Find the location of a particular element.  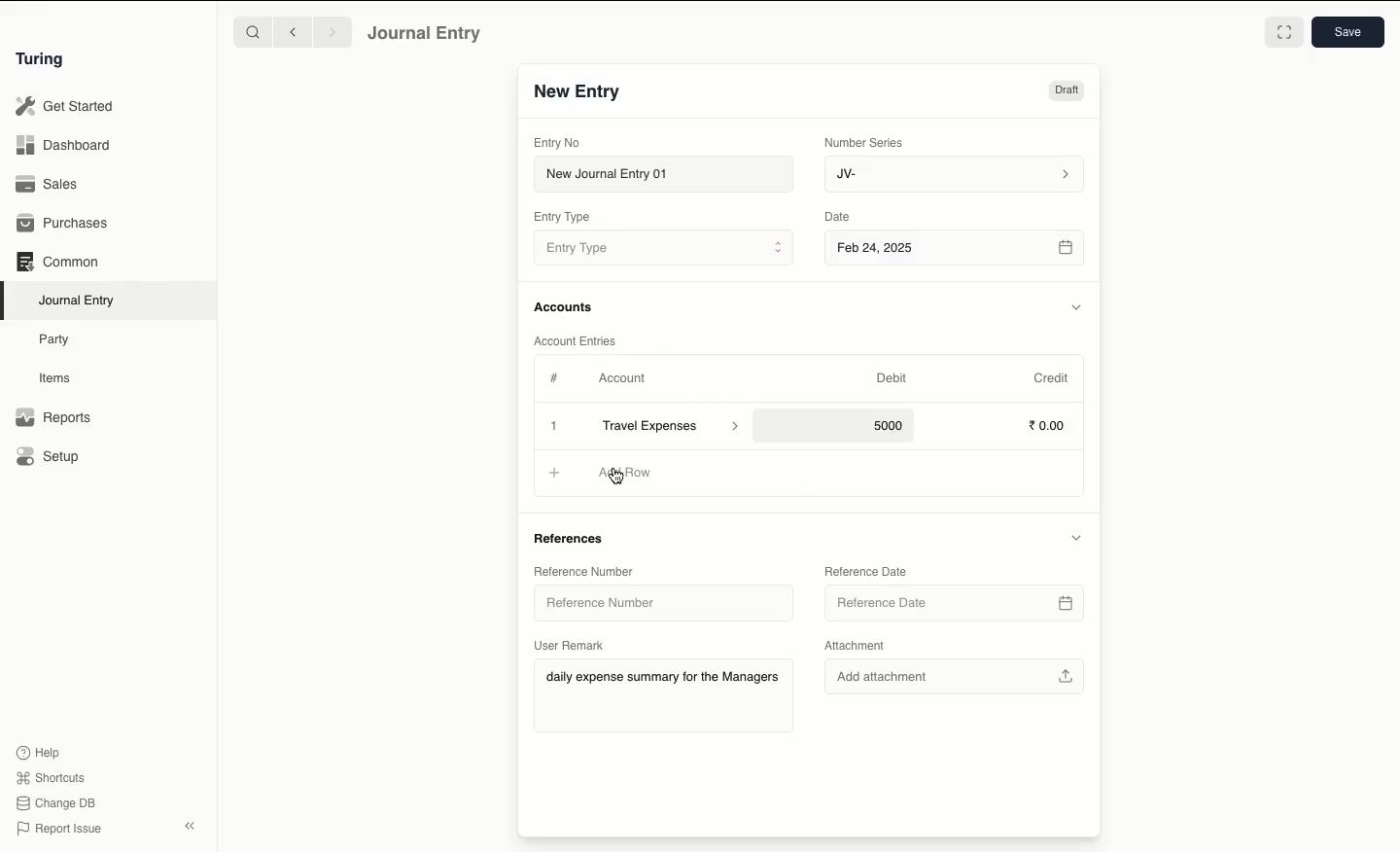

Feb 24, 2025 is located at coordinates (957, 250).